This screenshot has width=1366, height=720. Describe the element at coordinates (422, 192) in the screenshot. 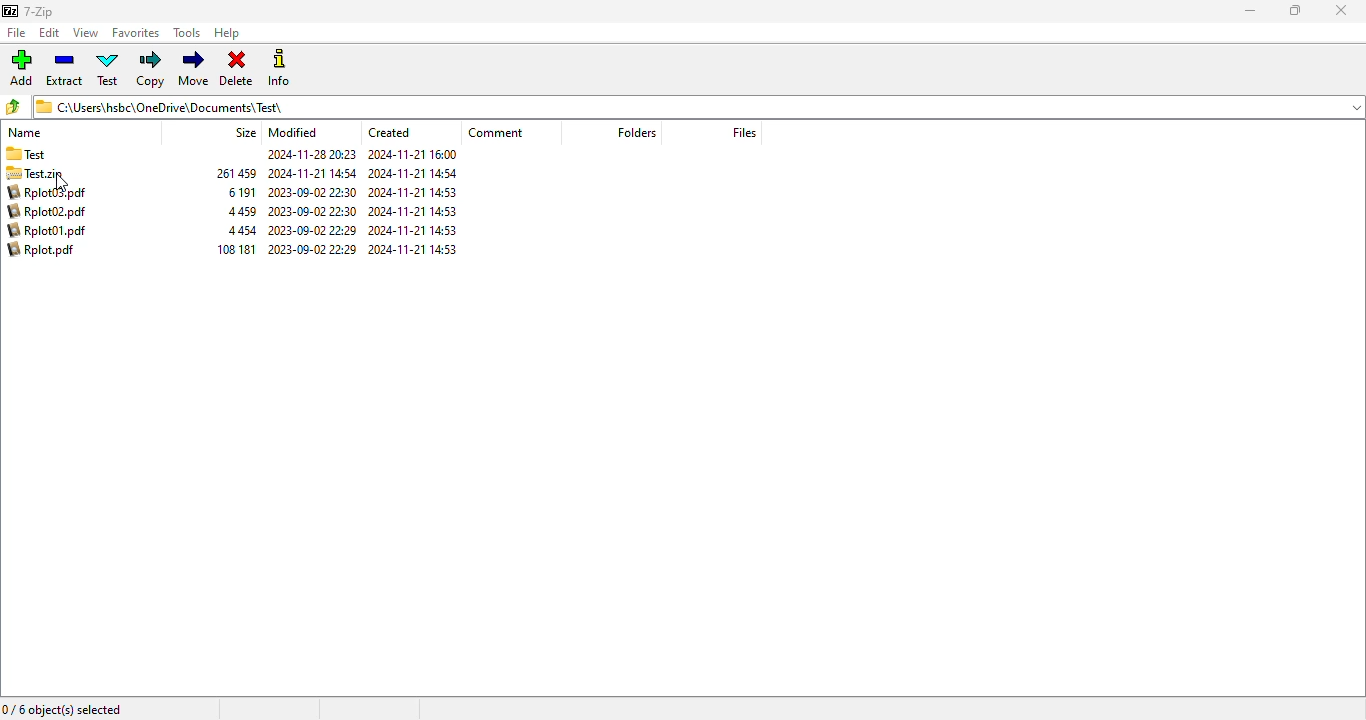

I see `2024-11-21 14:53` at that location.